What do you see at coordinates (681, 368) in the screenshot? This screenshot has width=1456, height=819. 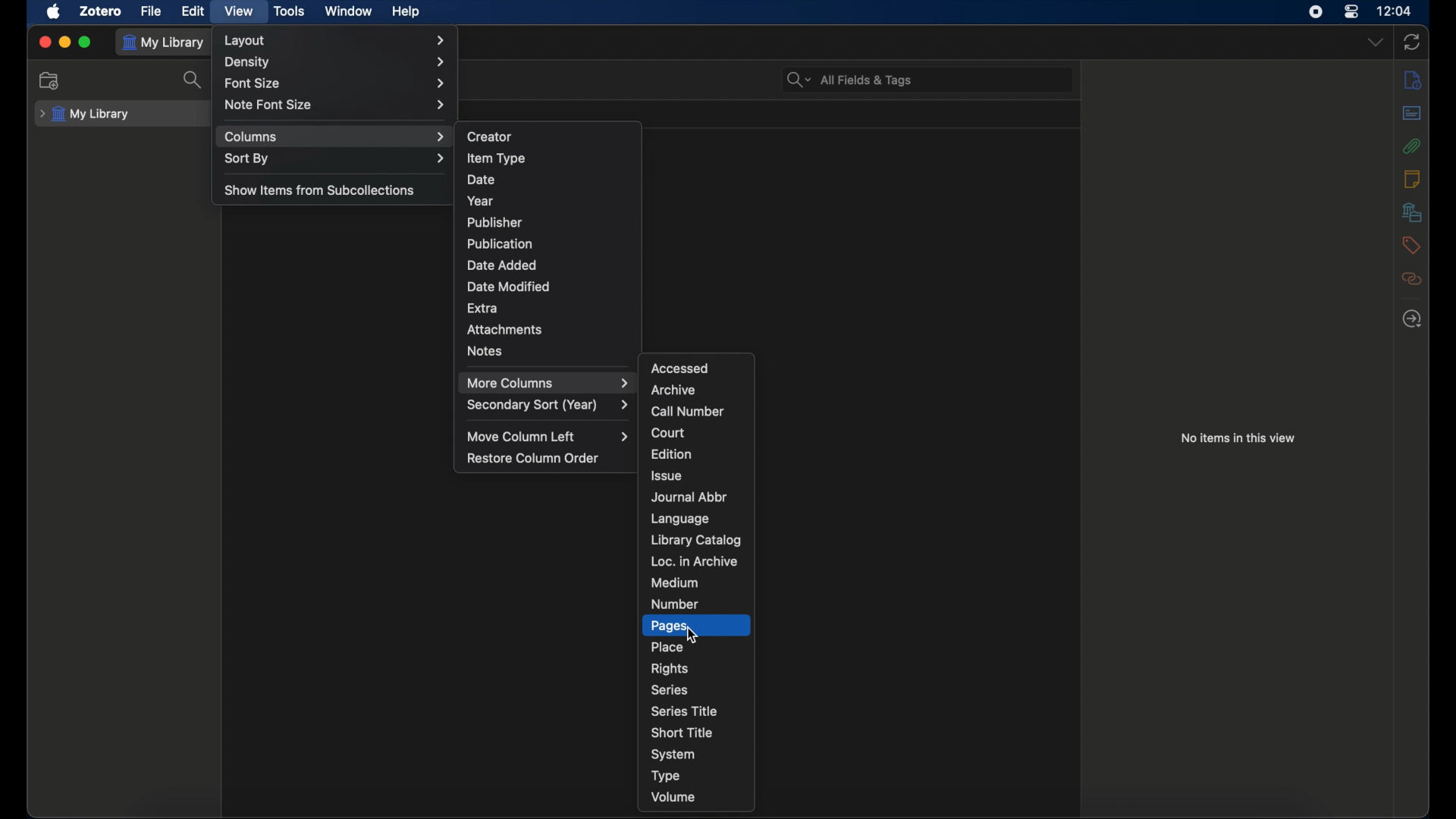 I see `accessed` at bounding box center [681, 368].